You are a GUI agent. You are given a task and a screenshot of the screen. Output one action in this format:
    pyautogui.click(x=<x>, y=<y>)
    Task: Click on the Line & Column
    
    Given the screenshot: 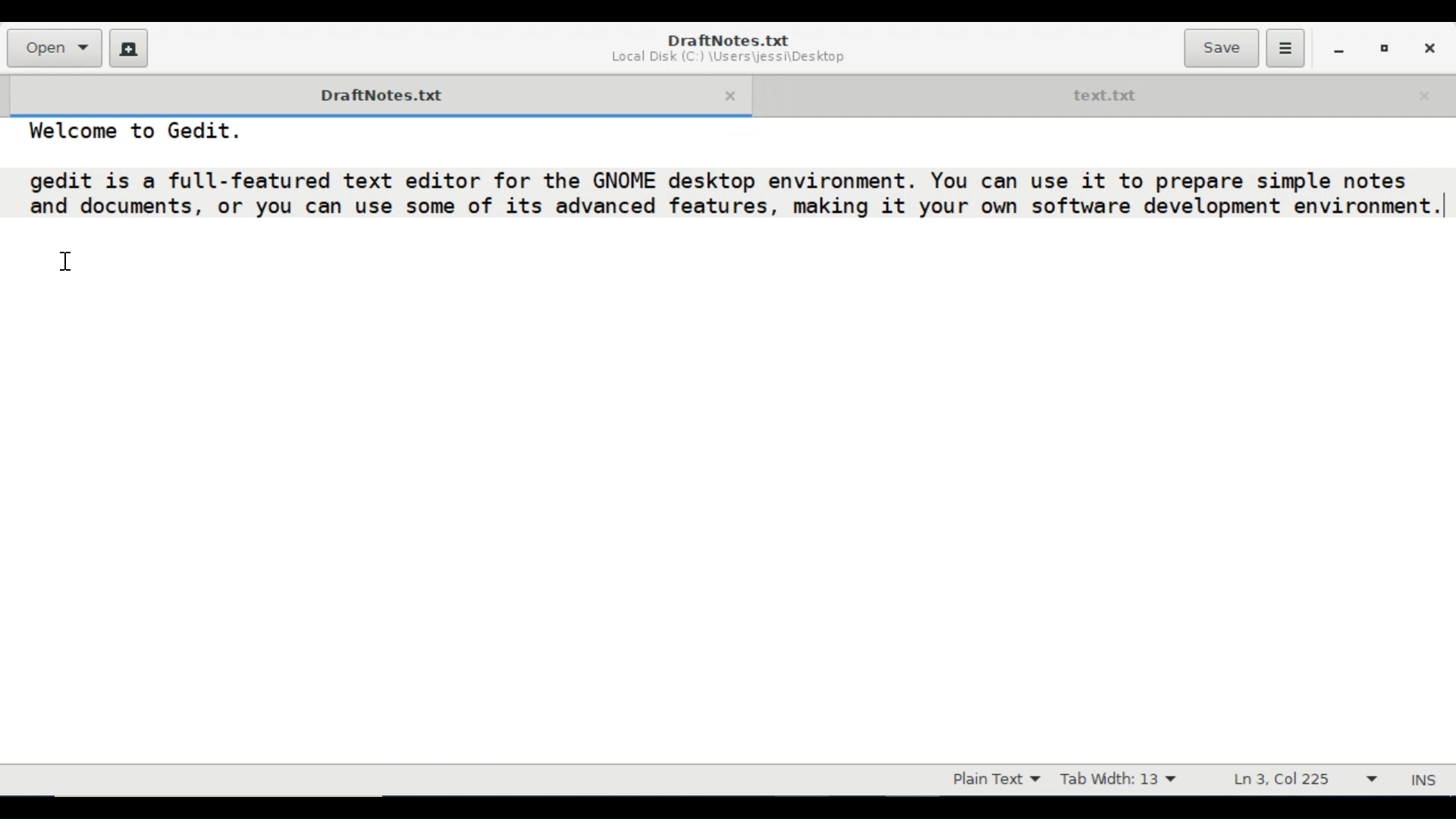 What is the action you would take?
    pyautogui.click(x=1305, y=778)
    